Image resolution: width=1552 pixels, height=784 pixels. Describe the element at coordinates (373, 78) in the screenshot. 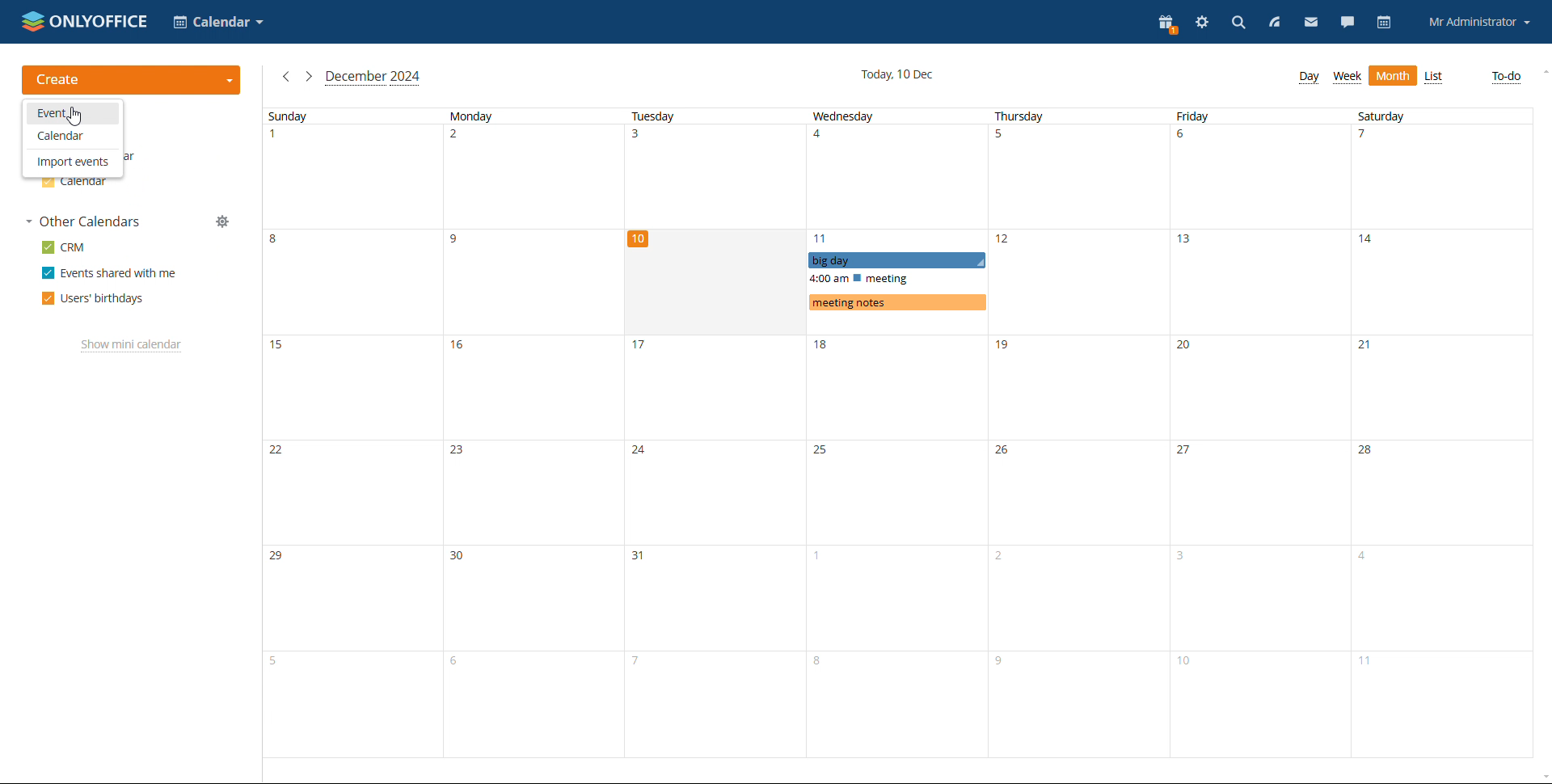

I see `current month` at that location.